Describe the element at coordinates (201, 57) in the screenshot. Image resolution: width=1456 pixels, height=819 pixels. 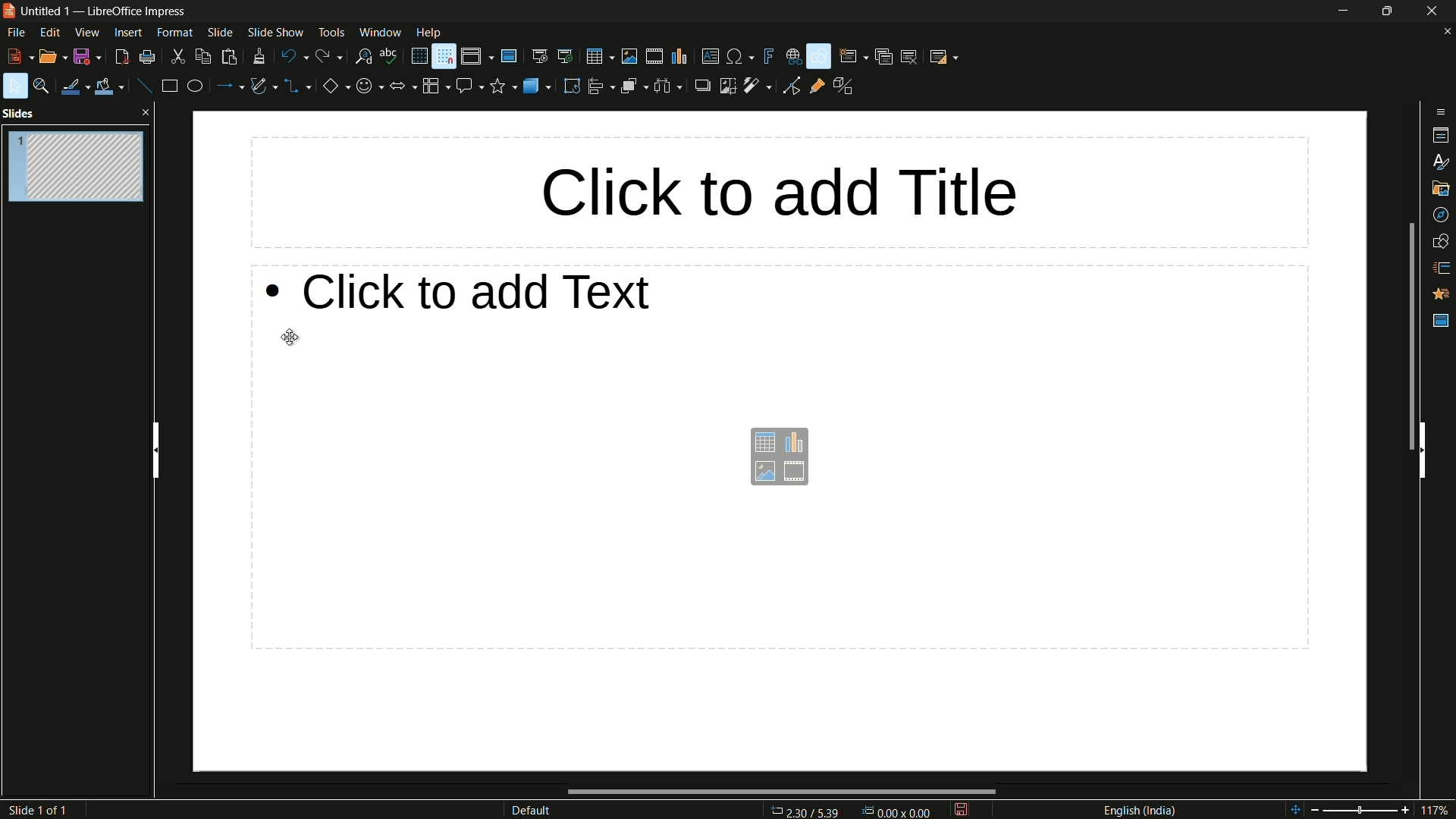
I see `copy` at that location.